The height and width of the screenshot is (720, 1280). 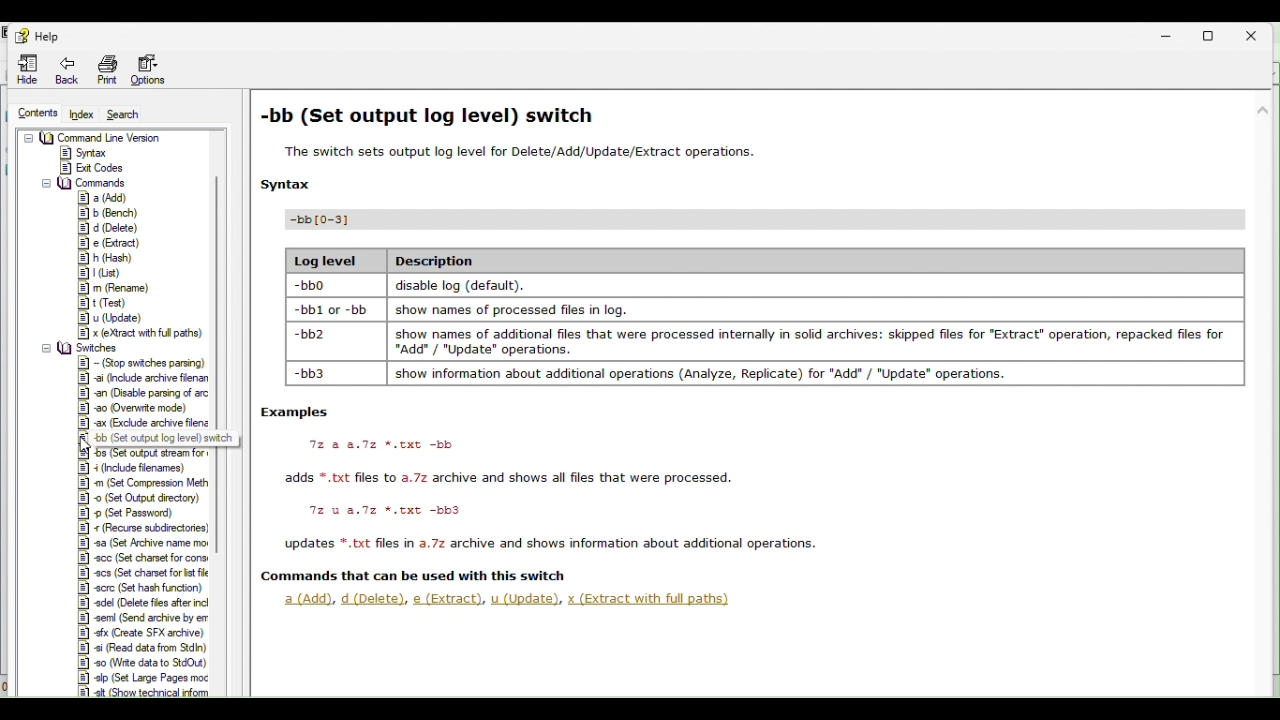 I want to click on , so click(x=416, y=575).